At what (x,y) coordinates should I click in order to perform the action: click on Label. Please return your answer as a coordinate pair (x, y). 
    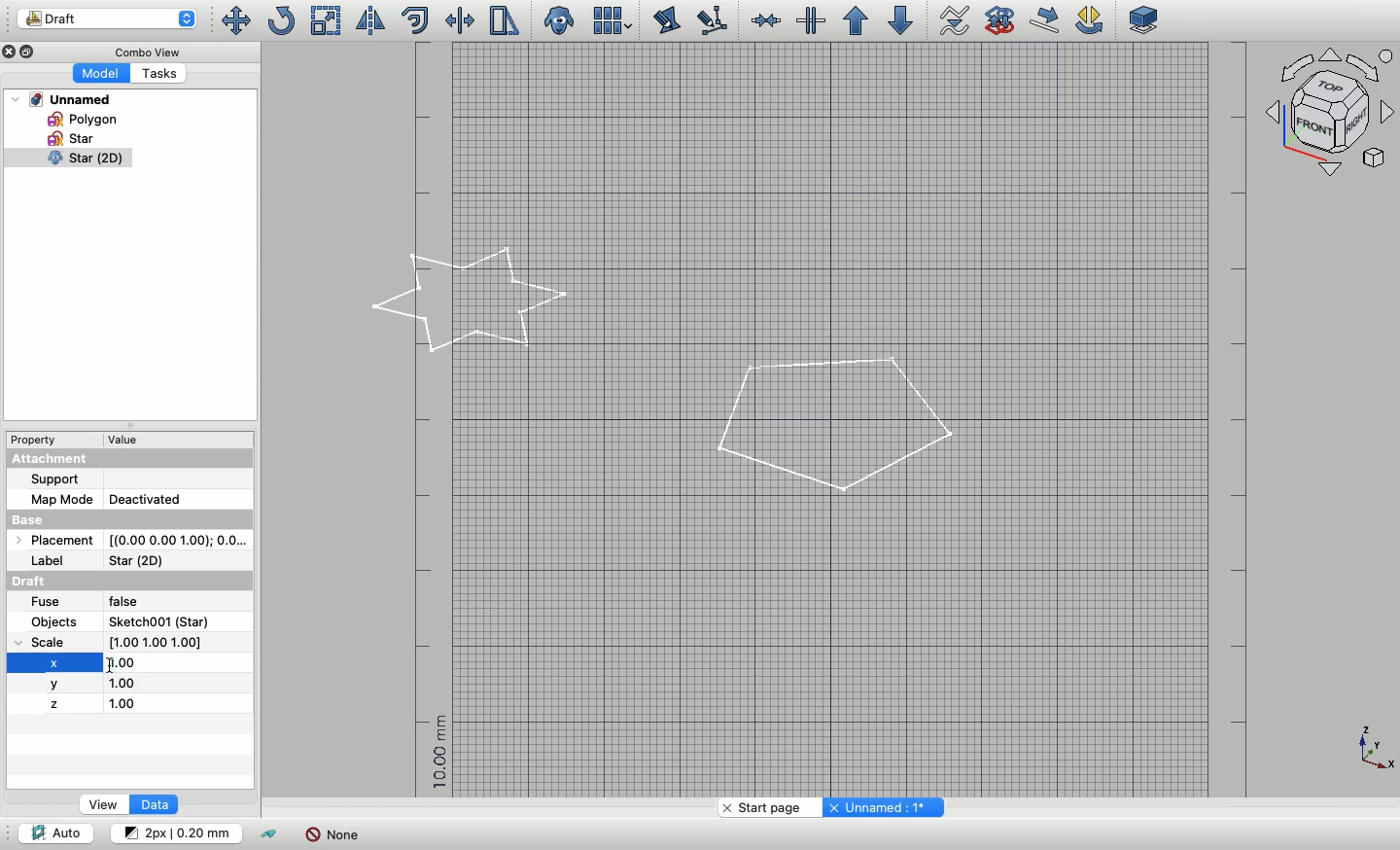
    Looking at the image, I should click on (54, 561).